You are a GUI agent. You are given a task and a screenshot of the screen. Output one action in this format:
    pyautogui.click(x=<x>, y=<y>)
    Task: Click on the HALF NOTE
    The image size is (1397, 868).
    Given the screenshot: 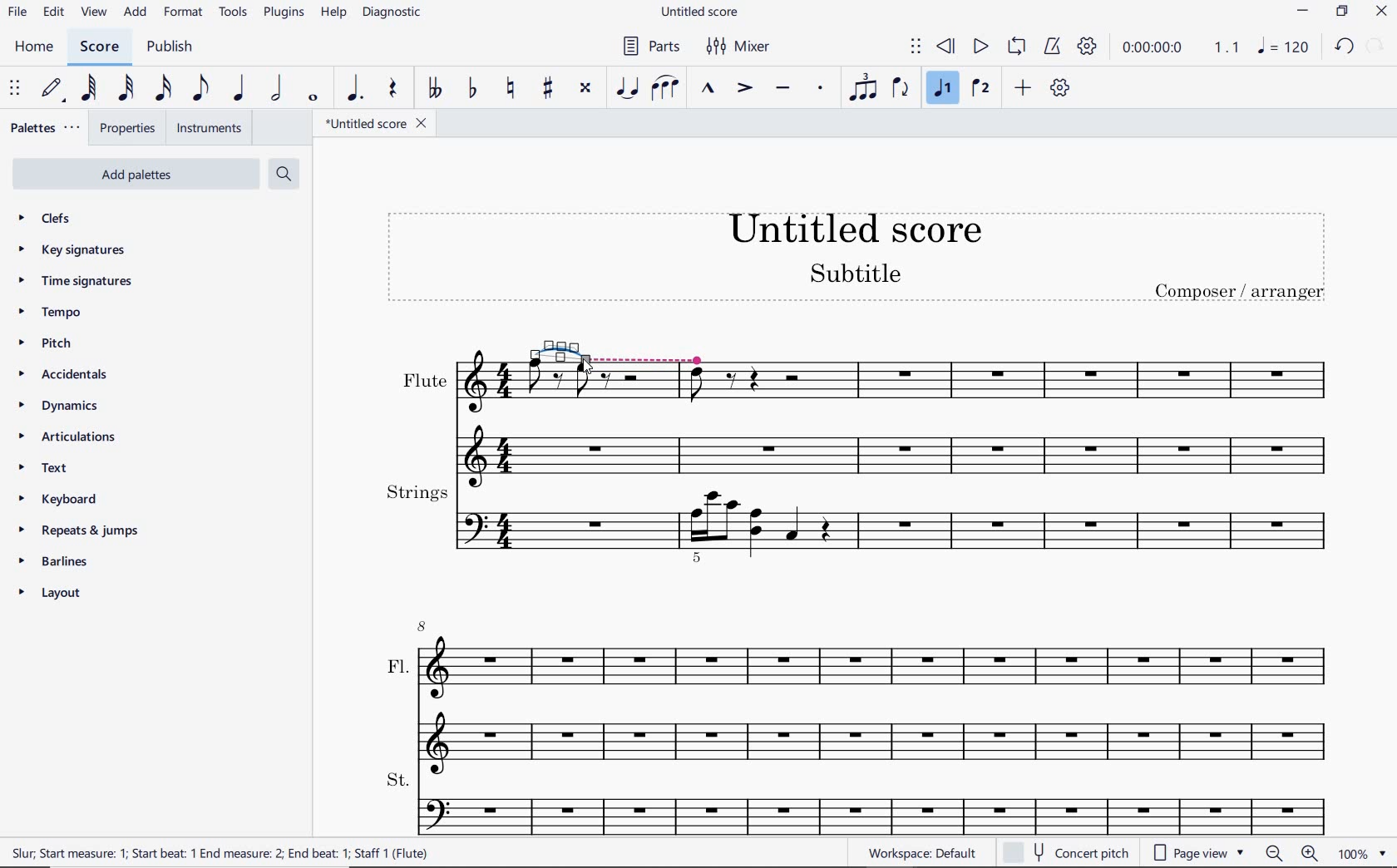 What is the action you would take?
    pyautogui.click(x=280, y=89)
    